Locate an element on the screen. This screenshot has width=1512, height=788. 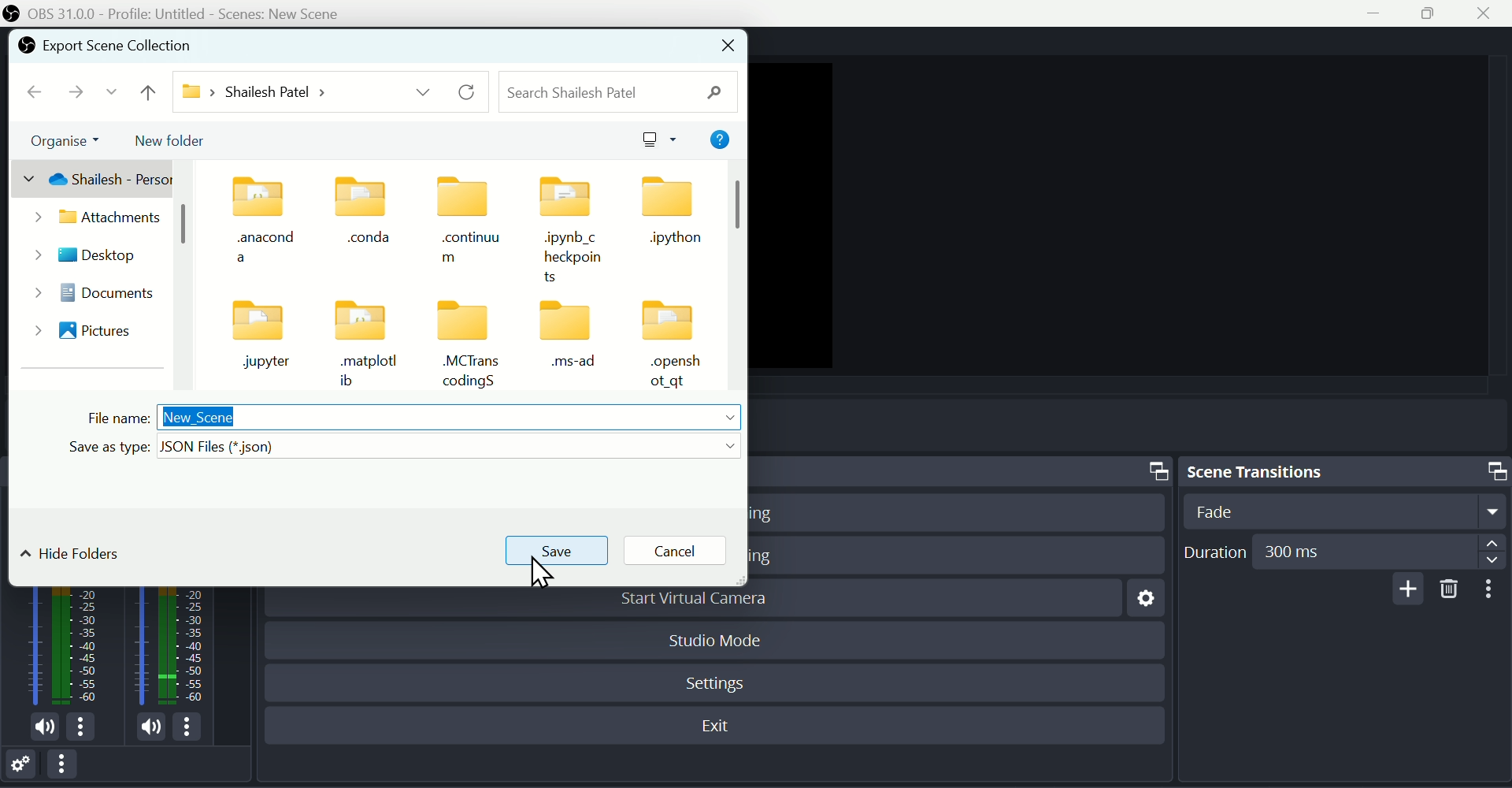
More options is located at coordinates (70, 768).